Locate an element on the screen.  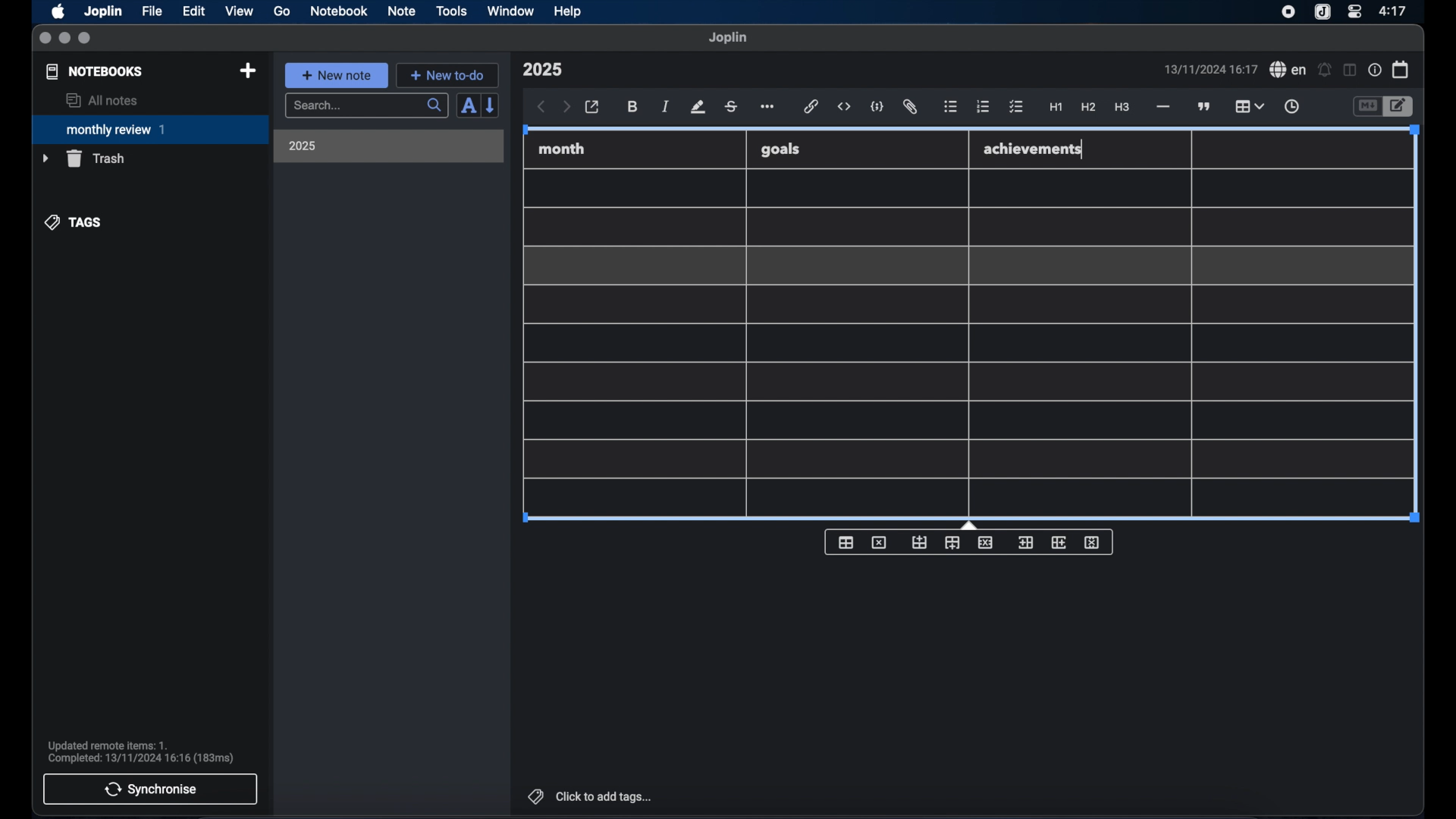
Joplin is located at coordinates (105, 12).